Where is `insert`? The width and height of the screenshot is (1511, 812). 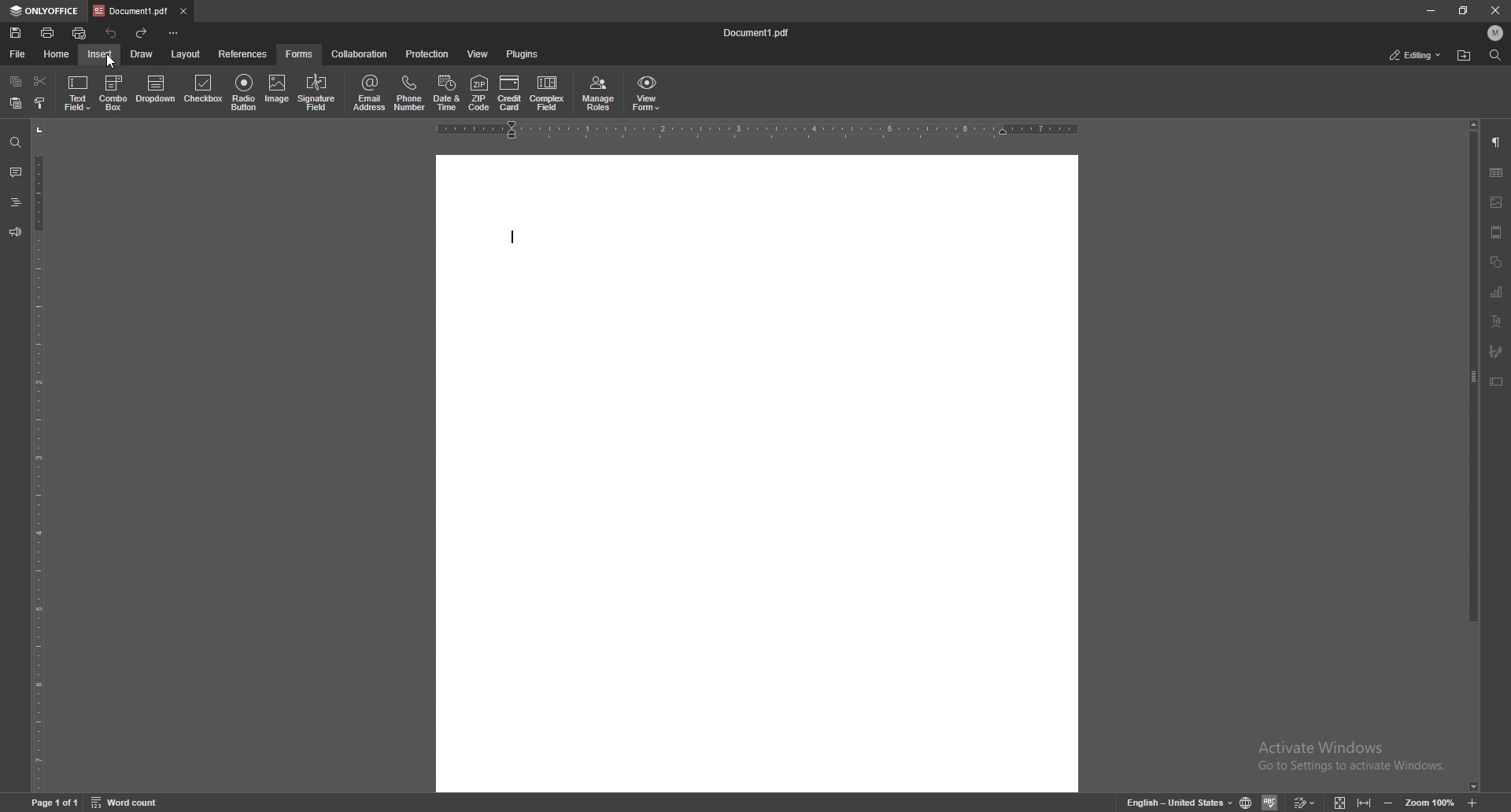 insert is located at coordinates (100, 54).